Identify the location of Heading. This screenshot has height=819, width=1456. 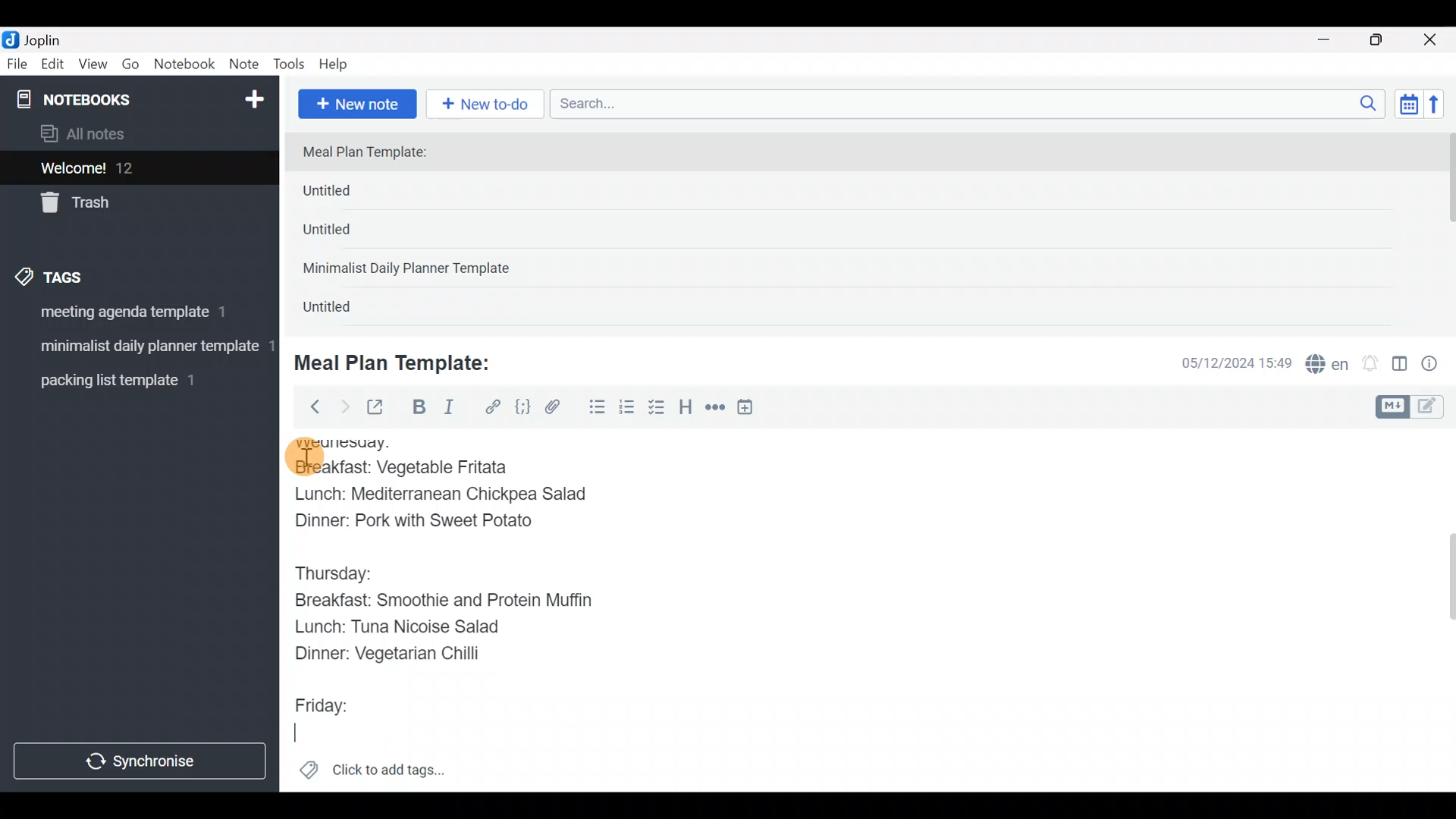
(686, 409).